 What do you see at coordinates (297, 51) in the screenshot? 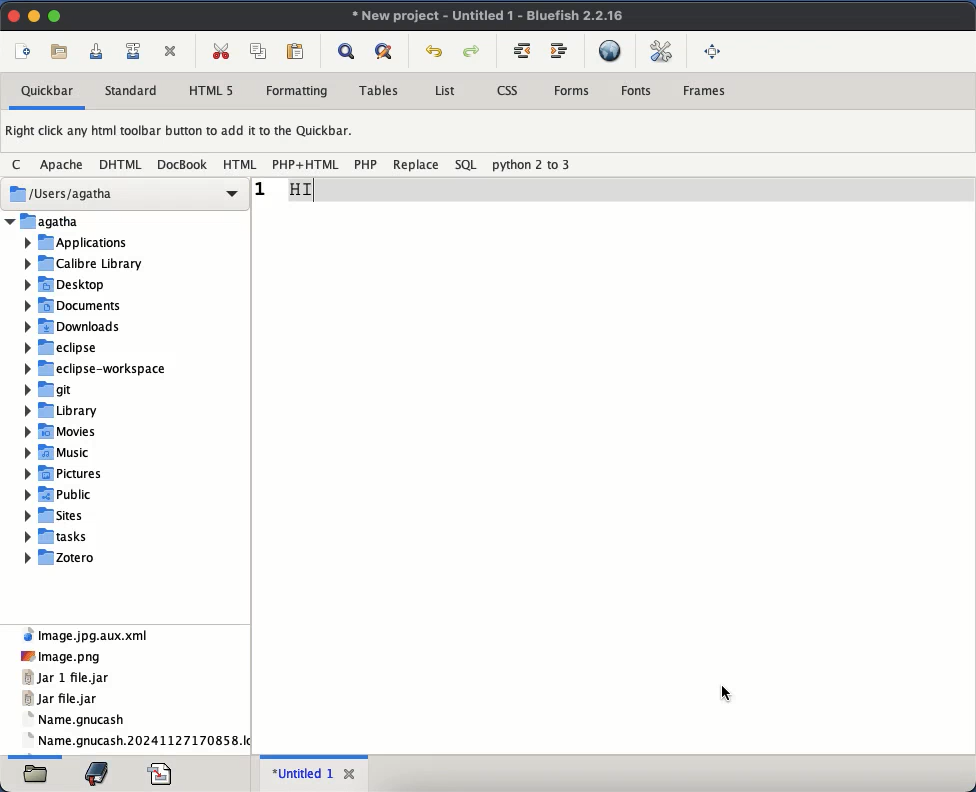
I see `paste` at bounding box center [297, 51].